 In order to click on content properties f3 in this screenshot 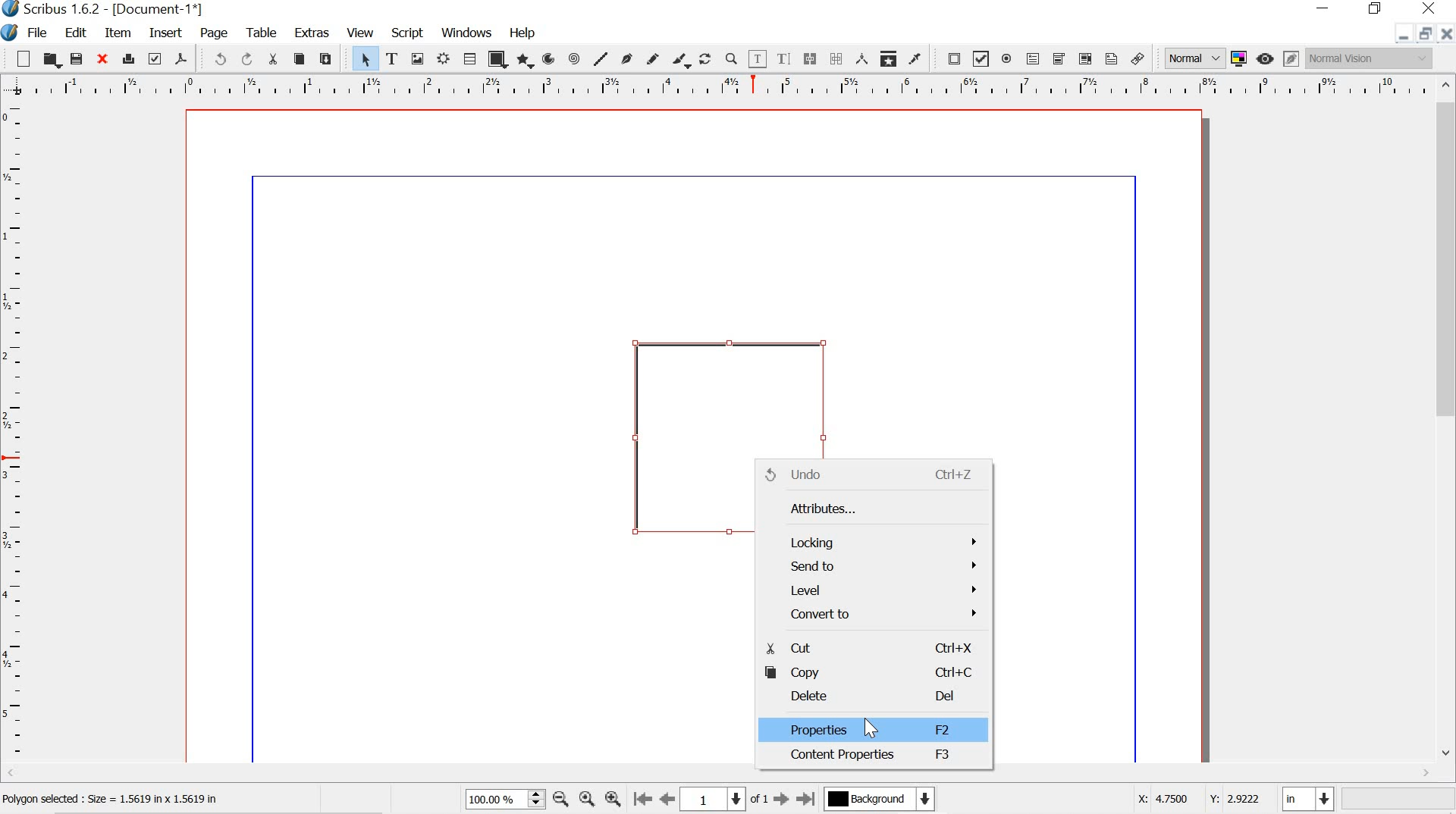, I will do `click(874, 756)`.